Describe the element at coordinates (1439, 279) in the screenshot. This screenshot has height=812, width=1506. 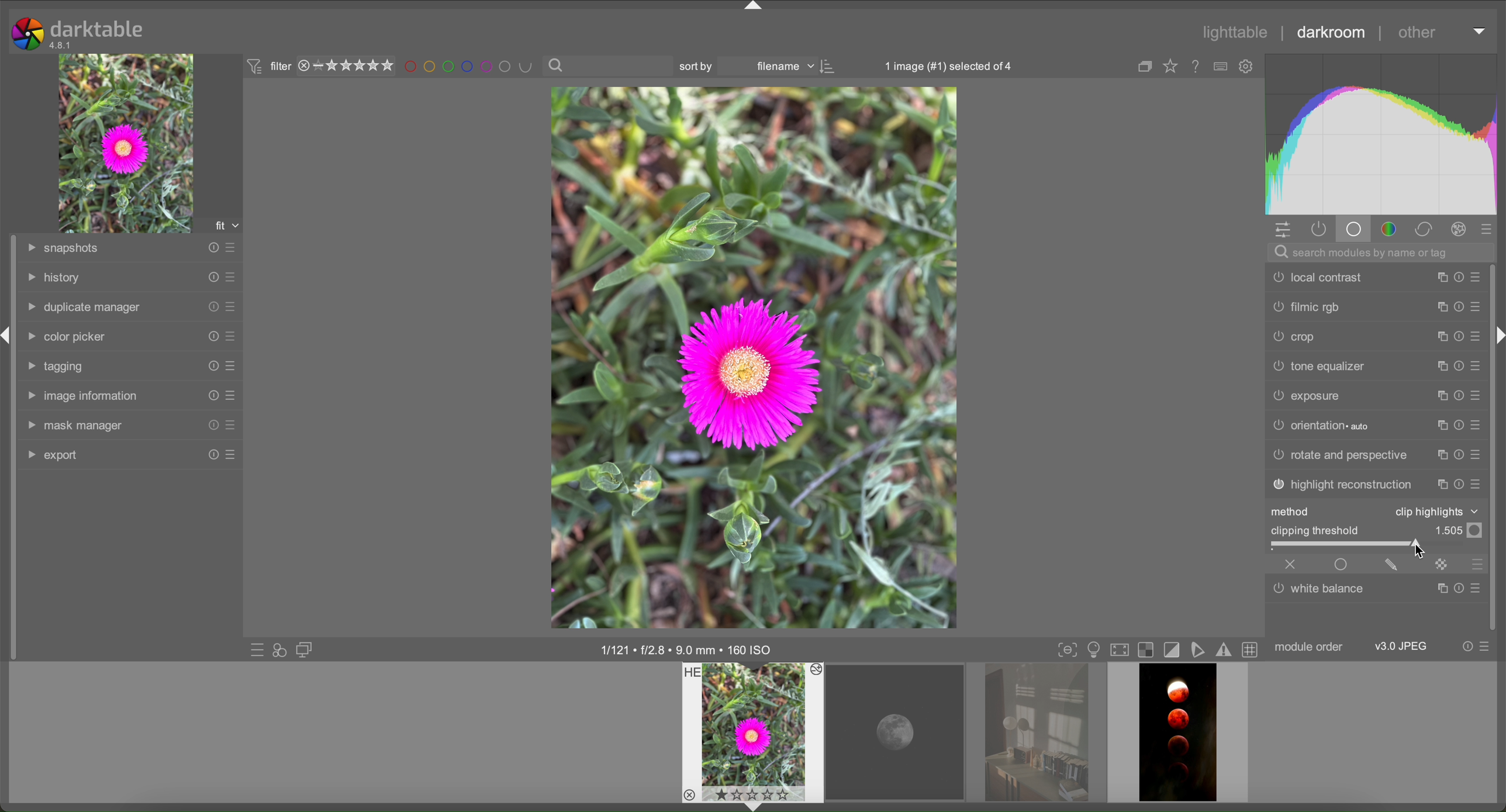
I see `copy` at that location.